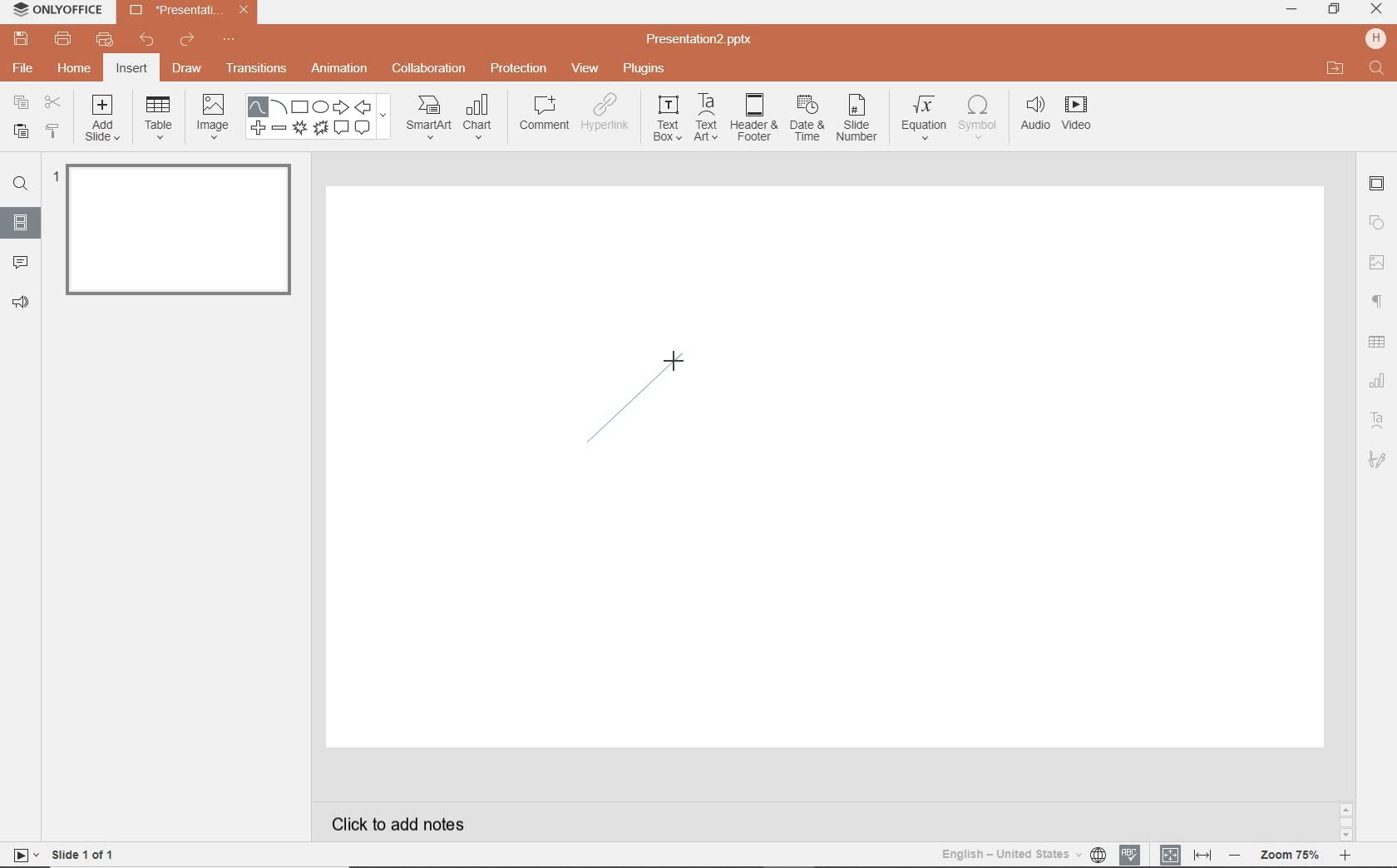 This screenshot has height=868, width=1397. What do you see at coordinates (542, 116) in the screenshot?
I see `COMMENT` at bounding box center [542, 116].